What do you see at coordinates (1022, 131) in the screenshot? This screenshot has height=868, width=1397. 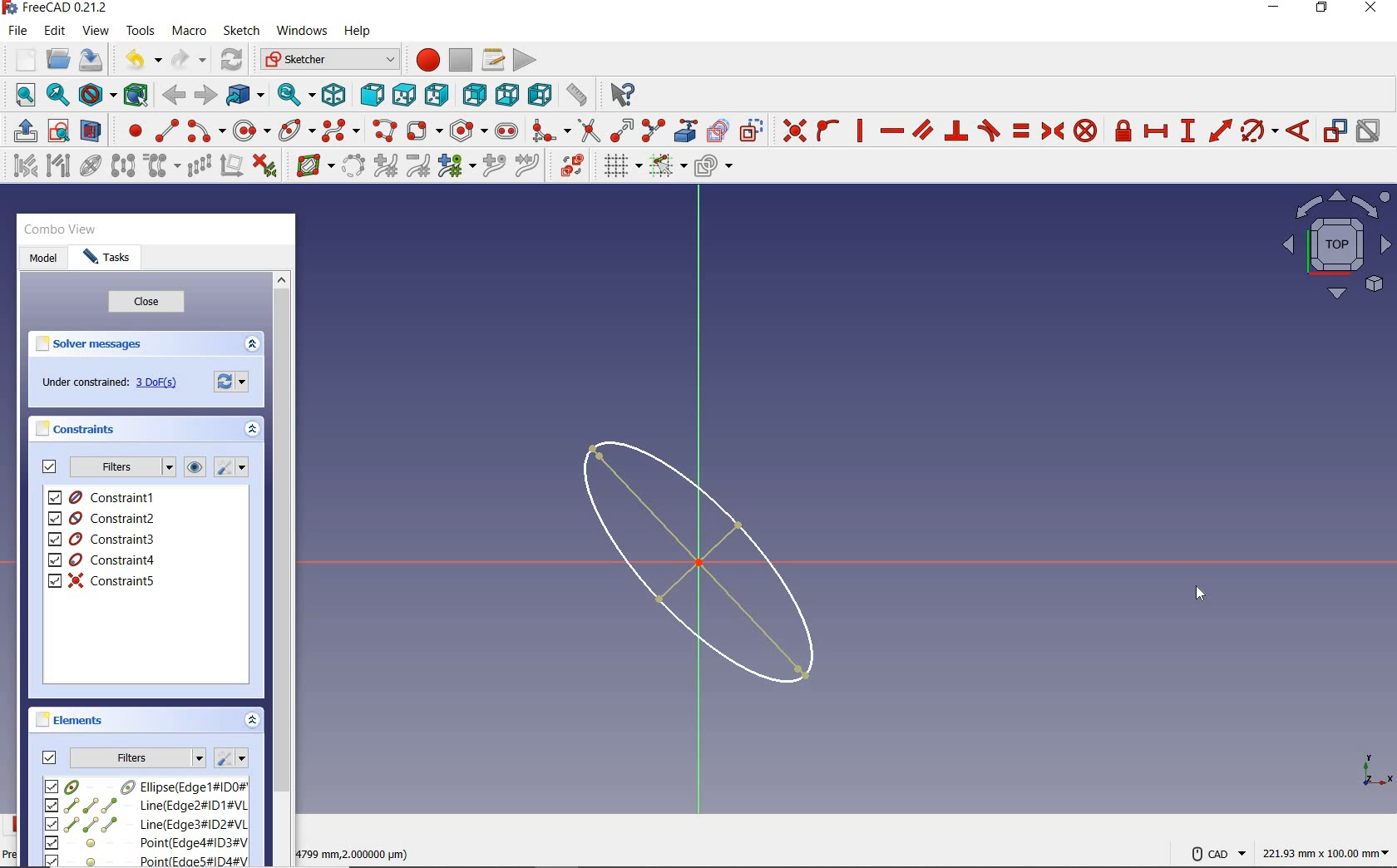 I see `constrain equal` at bounding box center [1022, 131].